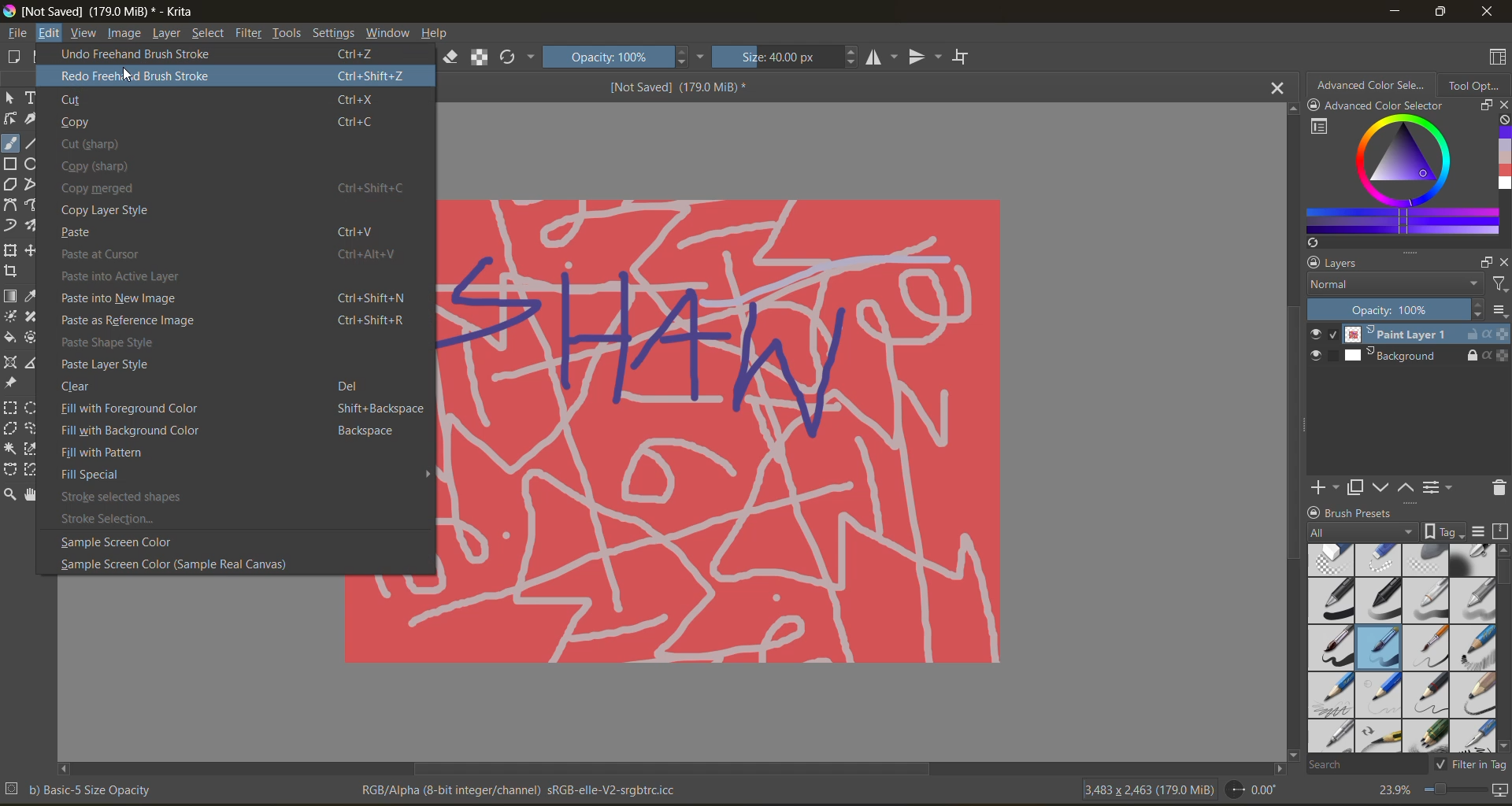 The height and width of the screenshot is (806, 1512). What do you see at coordinates (1423, 357) in the screenshot?
I see `Background` at bounding box center [1423, 357].